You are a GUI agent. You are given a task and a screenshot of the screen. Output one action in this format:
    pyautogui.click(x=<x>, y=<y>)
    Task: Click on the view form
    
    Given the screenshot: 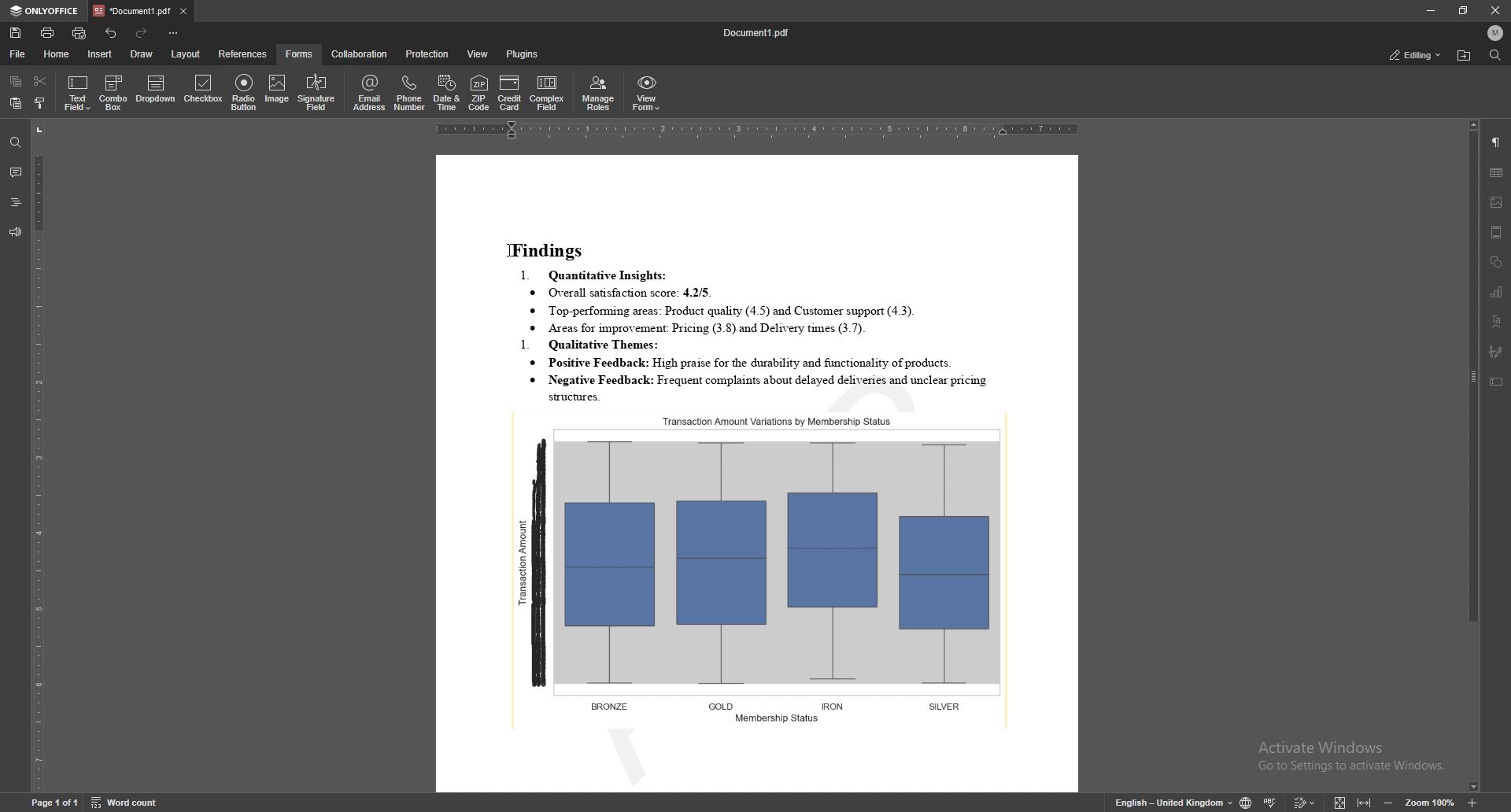 What is the action you would take?
    pyautogui.click(x=646, y=94)
    